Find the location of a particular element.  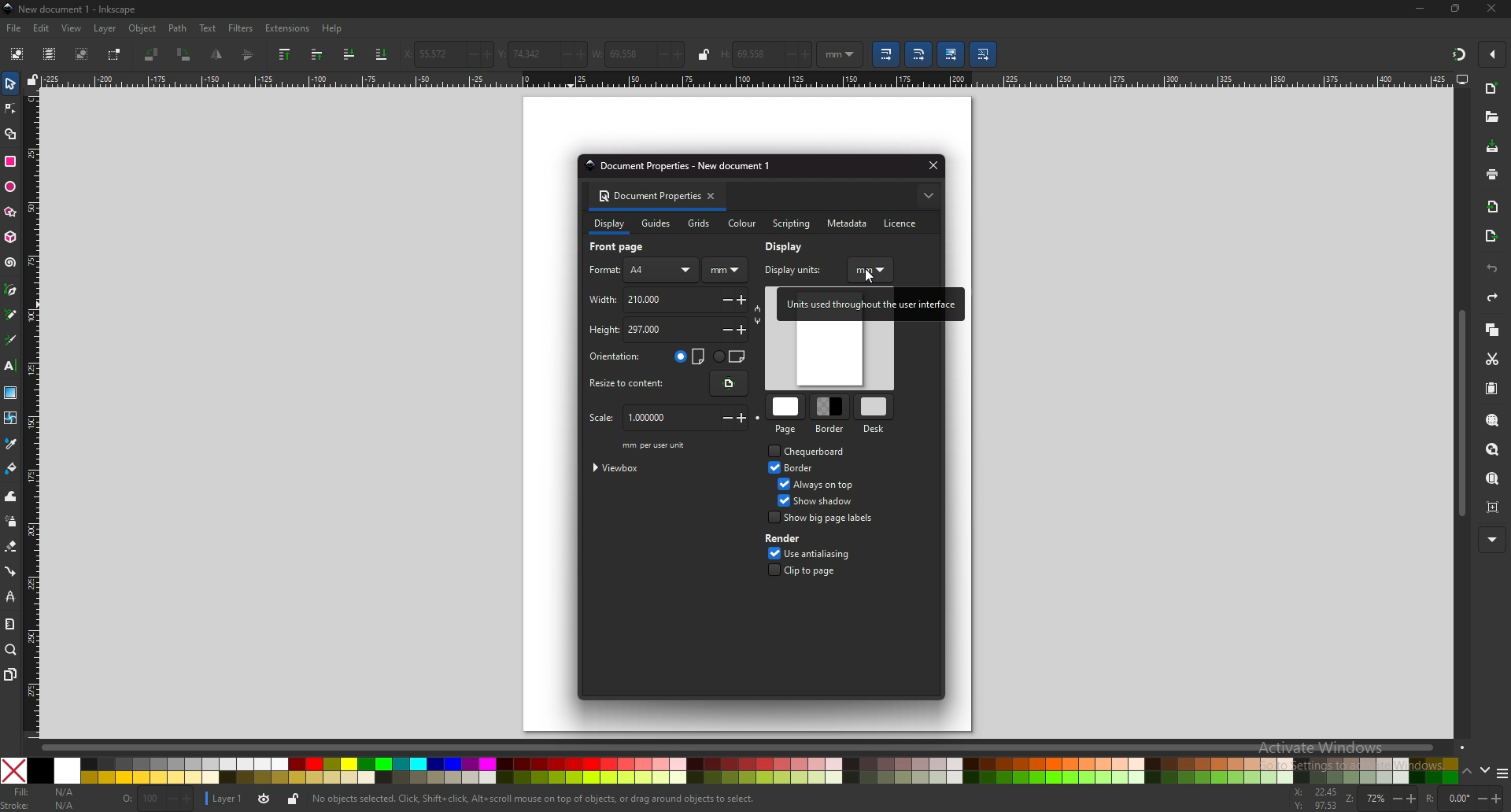

Stroke is located at coordinates (41, 806).